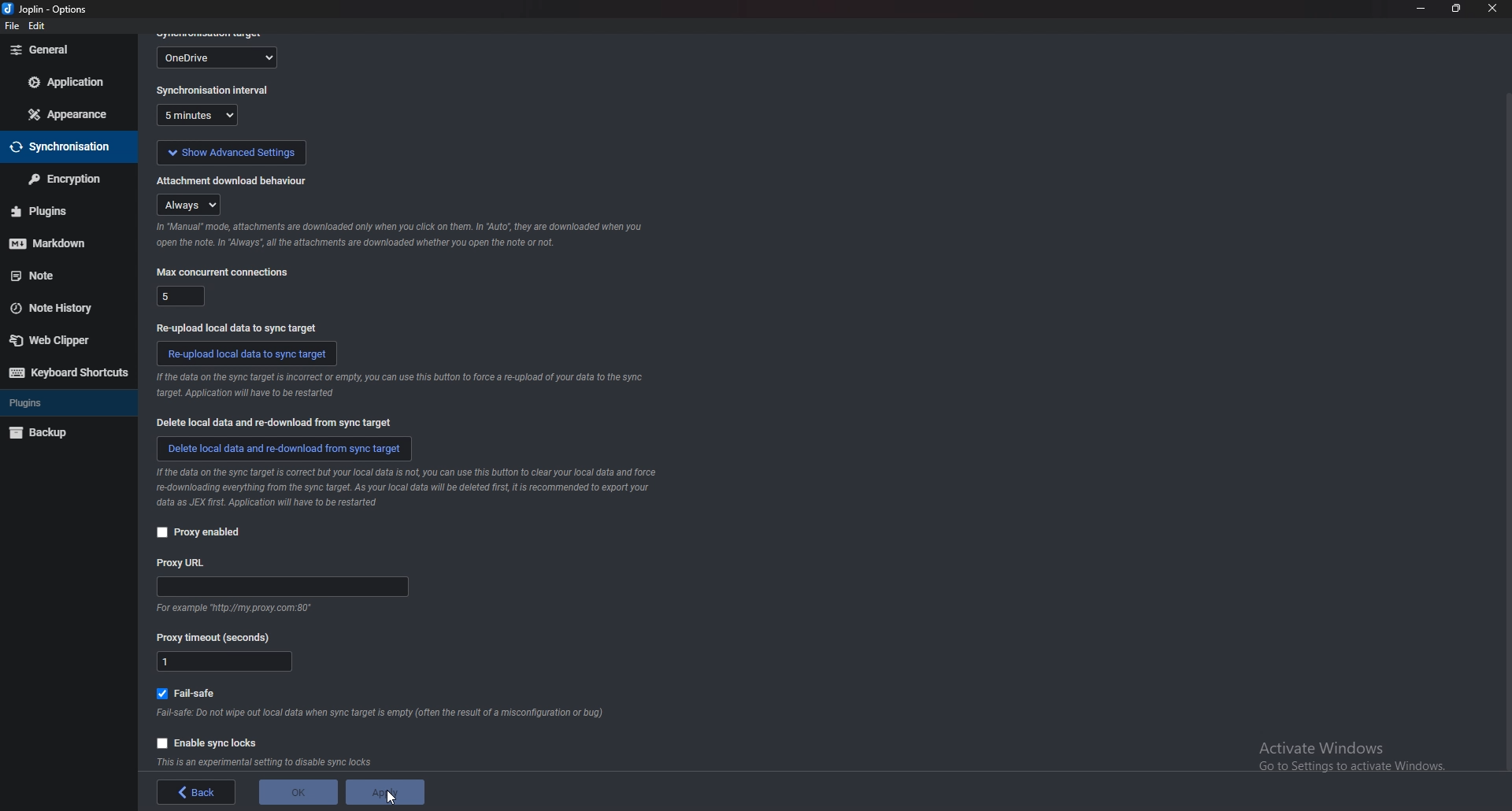 The height and width of the screenshot is (811, 1512). Describe the element at coordinates (398, 235) in the screenshot. I see `info` at that location.